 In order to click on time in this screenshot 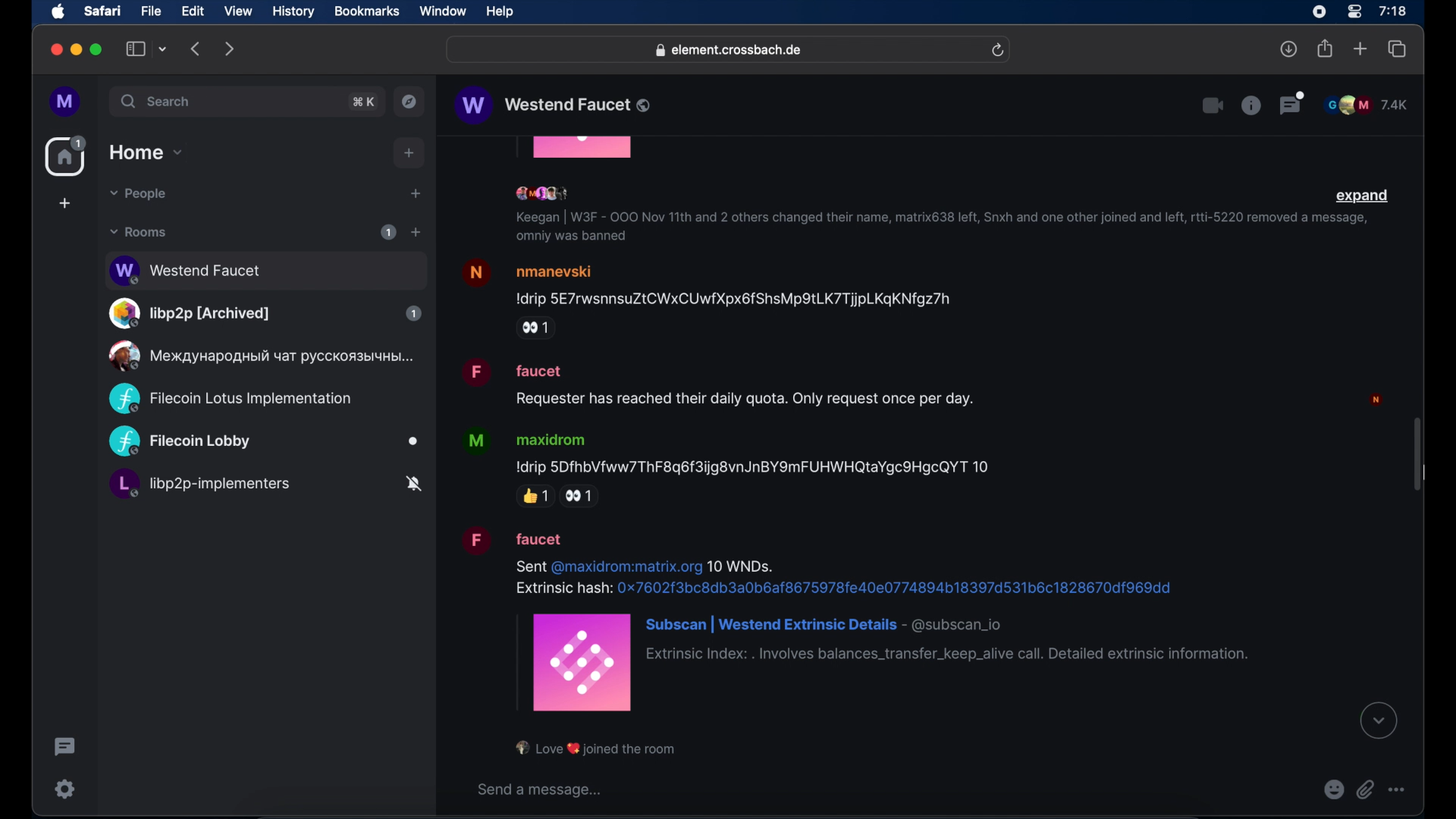, I will do `click(1392, 11)`.